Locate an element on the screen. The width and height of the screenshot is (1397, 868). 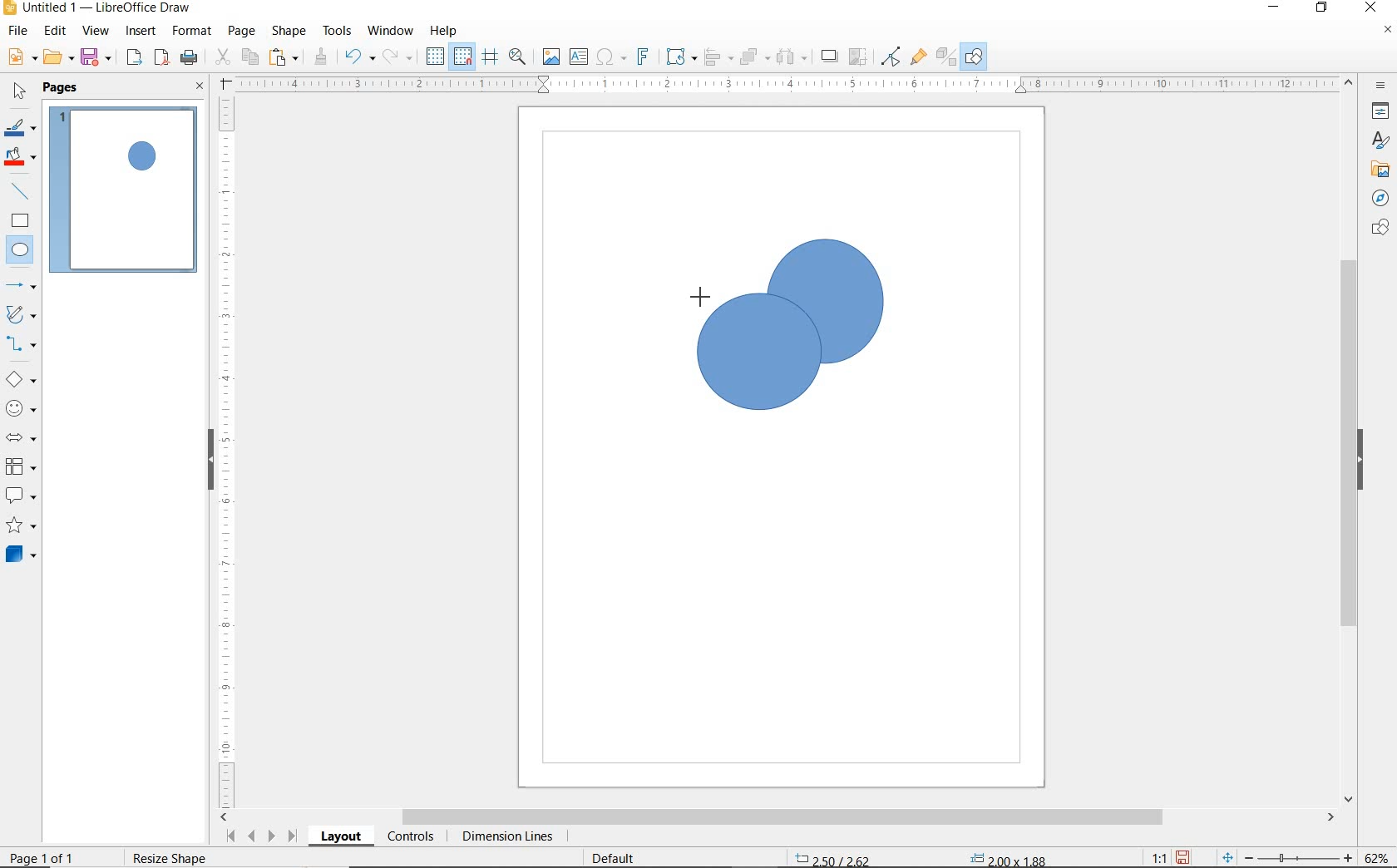
PROPERTIES is located at coordinates (1383, 114).